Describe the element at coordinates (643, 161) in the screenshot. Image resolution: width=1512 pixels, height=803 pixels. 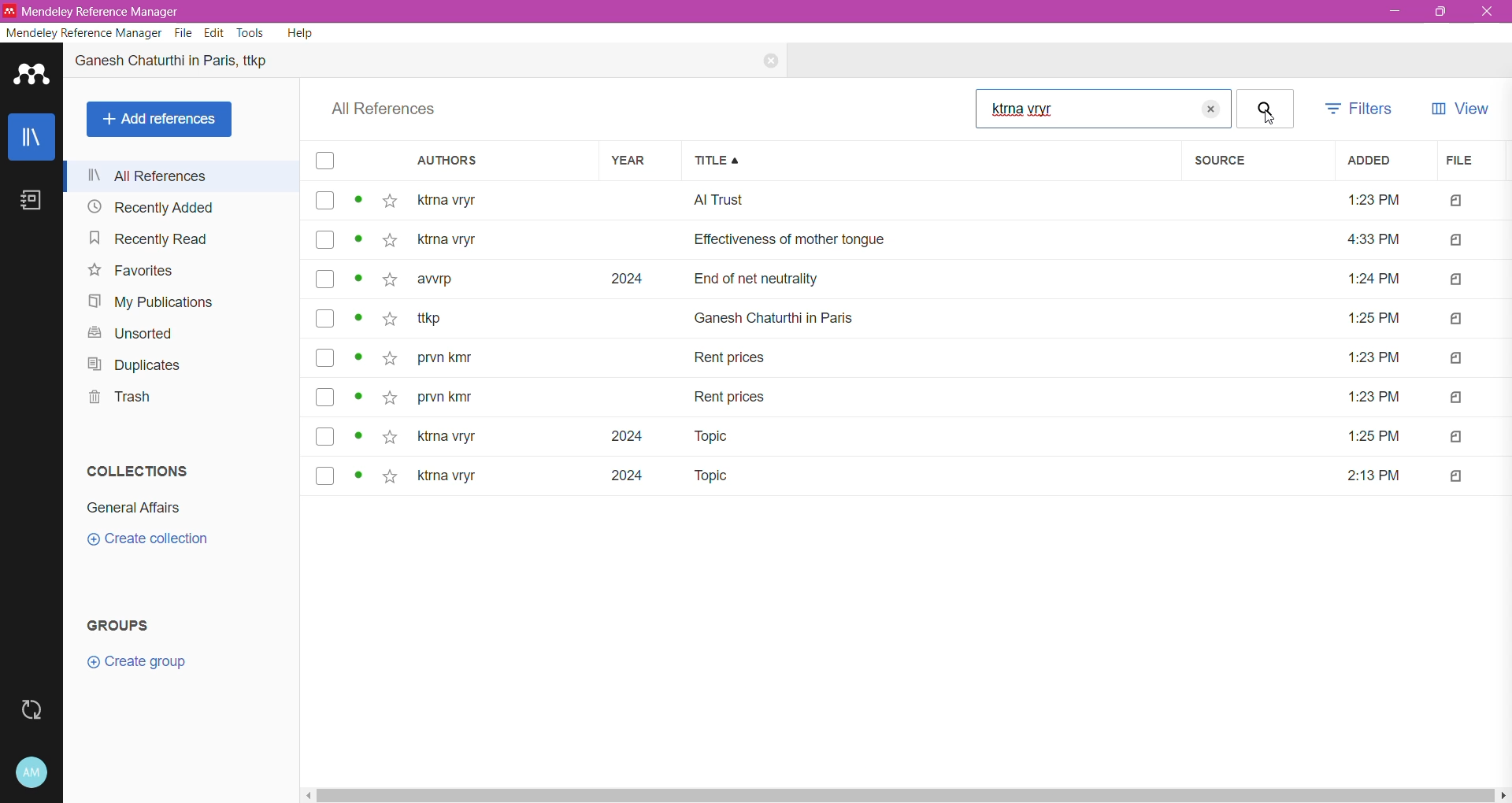
I see `Year` at that location.